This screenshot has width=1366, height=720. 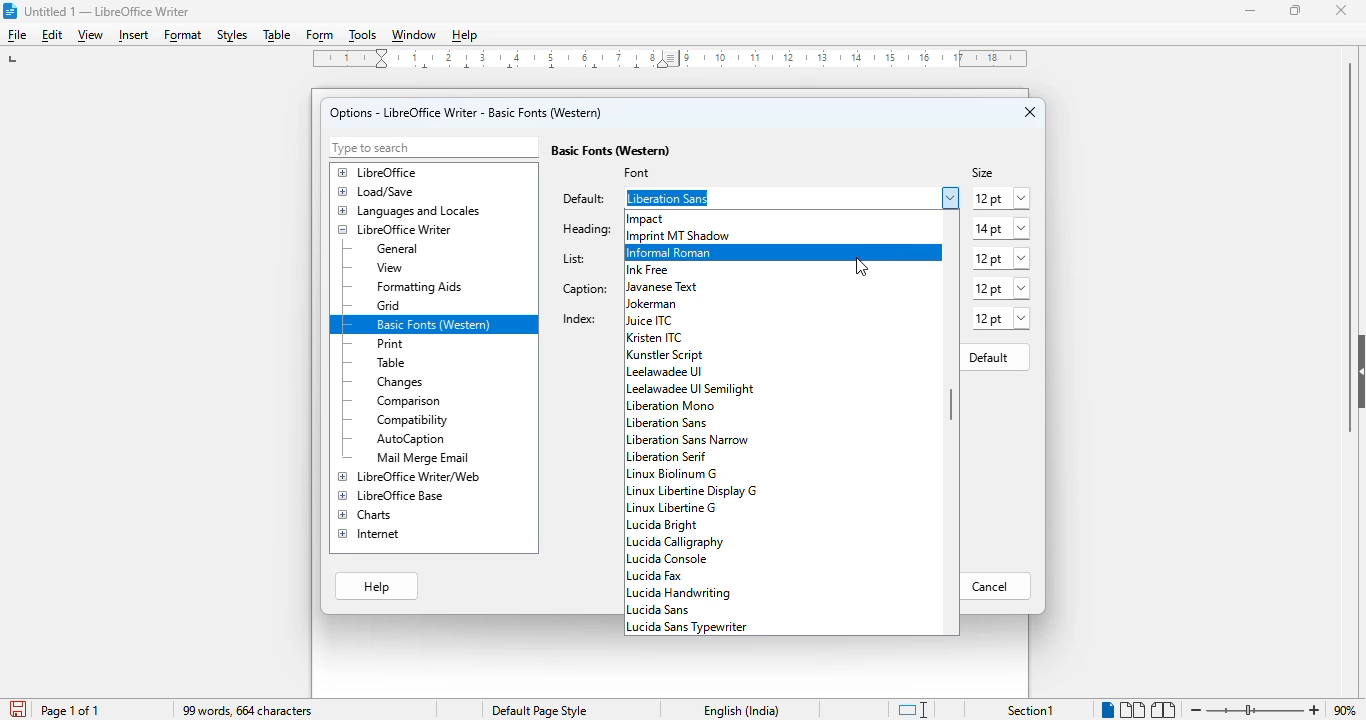 What do you see at coordinates (410, 211) in the screenshot?
I see `languages and locales` at bounding box center [410, 211].